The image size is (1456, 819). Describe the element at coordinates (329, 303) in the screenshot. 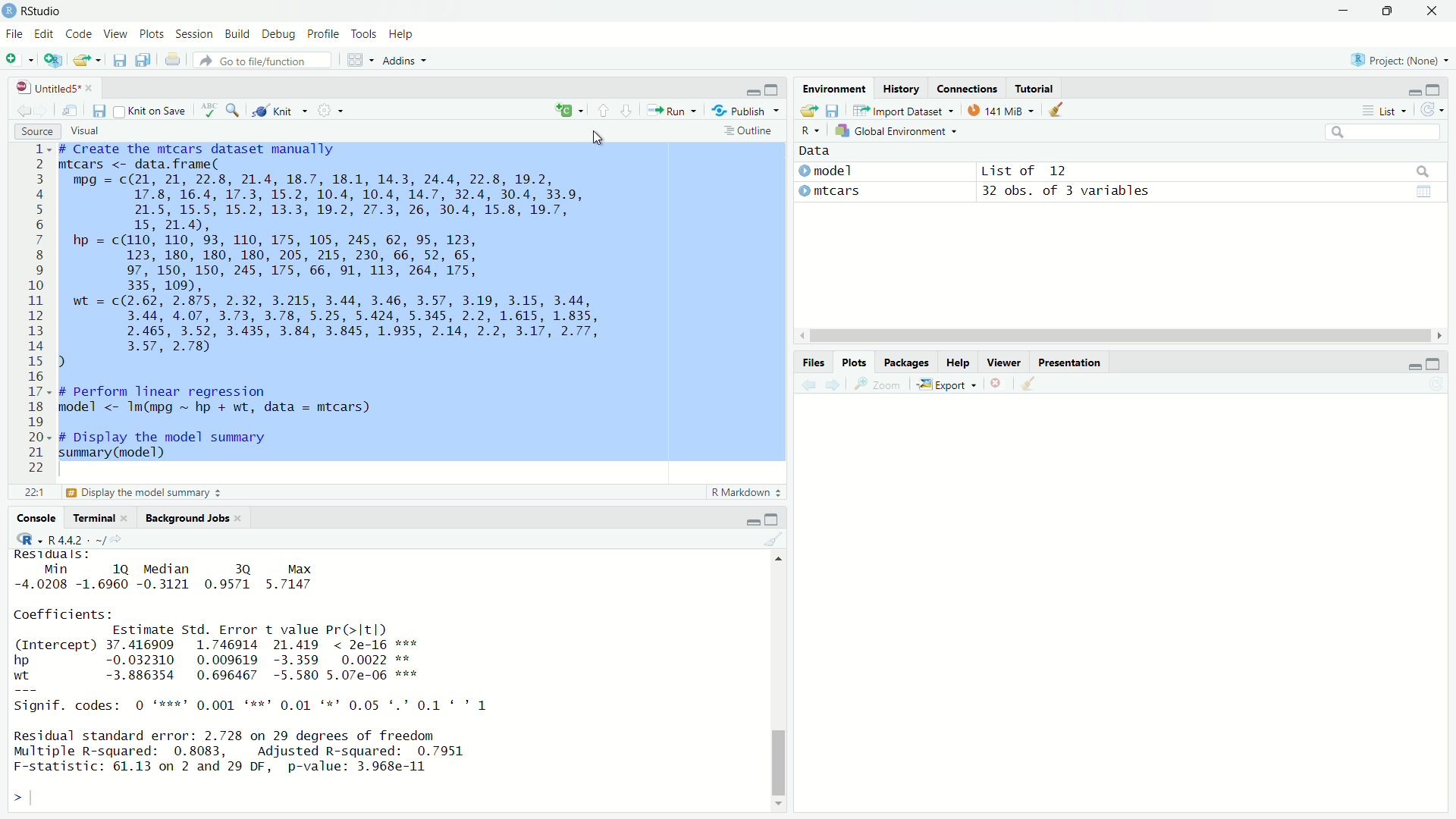

I see `# Create the mtcars dataset manually
mtcars <- data. frame(
mpg = c(21, 21, 22.8, 21.4, 18.7, 18.1, 14.3, 24.4, 22.8, 19.2,
17.8, 16.4, 17.3, 15.2, 10.4, 10.4, 14.7, 32.4, 30.4, 33.9,
21.5, 15.5, 15.2, 13.3, 19.2, 27.3, 26, 30.4, 15.8, 19.7,
15, 21.4),
hp = c(110, 110, 93, 110, 175, 105, 245, 62, 95, 123,
123, 180, 180, 180, 205, 215, 230, 66, 52, 65,
97, 150, 150, 245, 175, 66, 91, 113, 264, 175,
335, 109),
wt = c(2.62, 2.875, 2.32, 3.215, 3.44, 3.46, 3.57, 3.19, 3.15, 3.44,
3.44, 4.07, 3.73, 3.78, 5.25, 5.424, 5.345, 2.2, 1.615, 1.835,
2.465, 3.52, 3.435, 3.84, 3.845, 1.935, 2.14, 2.2, 3.17, 2.77,
3.57, 2.78)
) I
# perform linear regression
model <- Im(mpg ~ hp + wt, data = mtcars)
# Display the model summary
summary (model)` at that location.